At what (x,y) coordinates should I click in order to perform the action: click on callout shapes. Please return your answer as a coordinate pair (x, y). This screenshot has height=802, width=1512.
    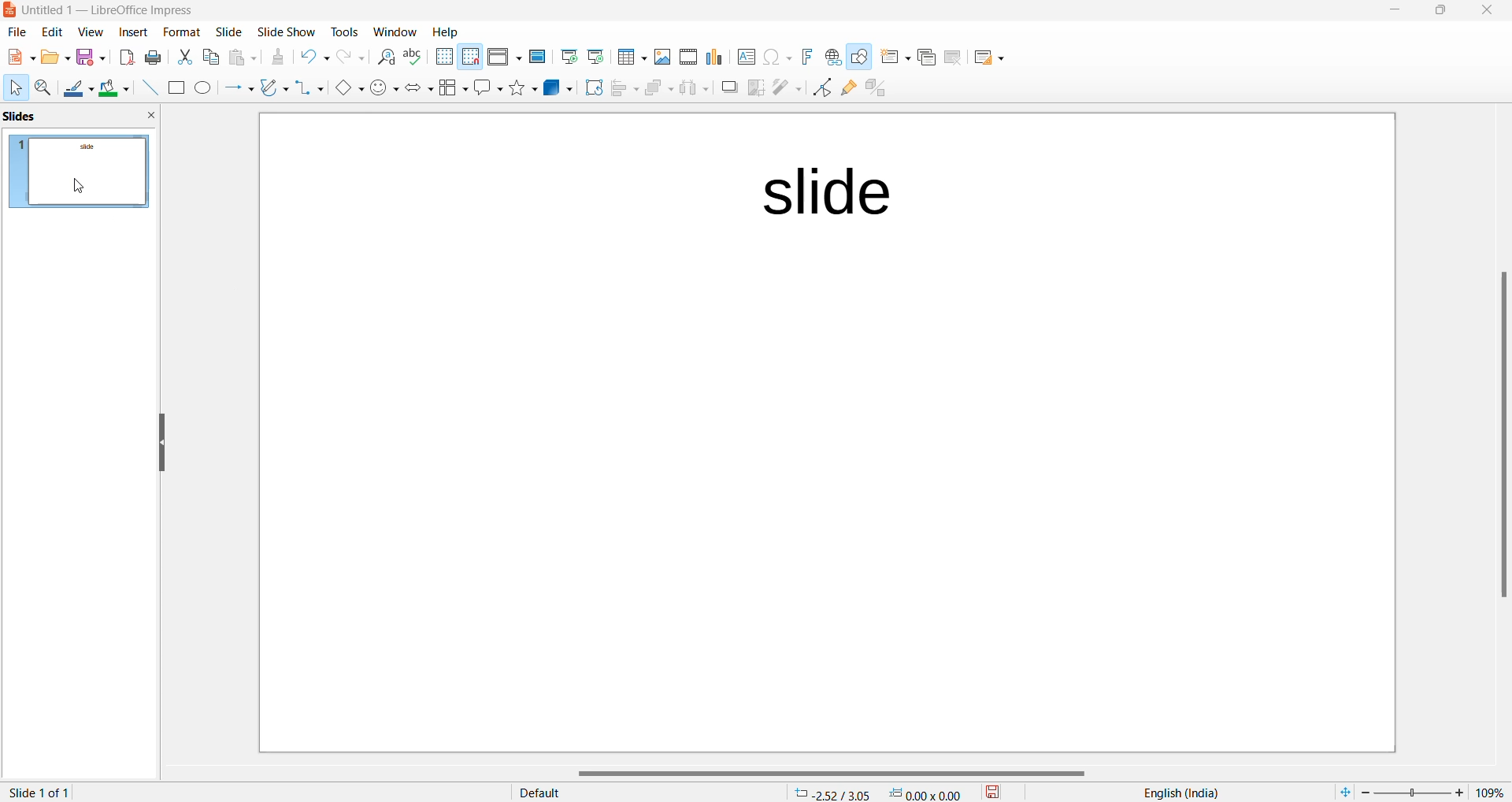
    Looking at the image, I should click on (490, 89).